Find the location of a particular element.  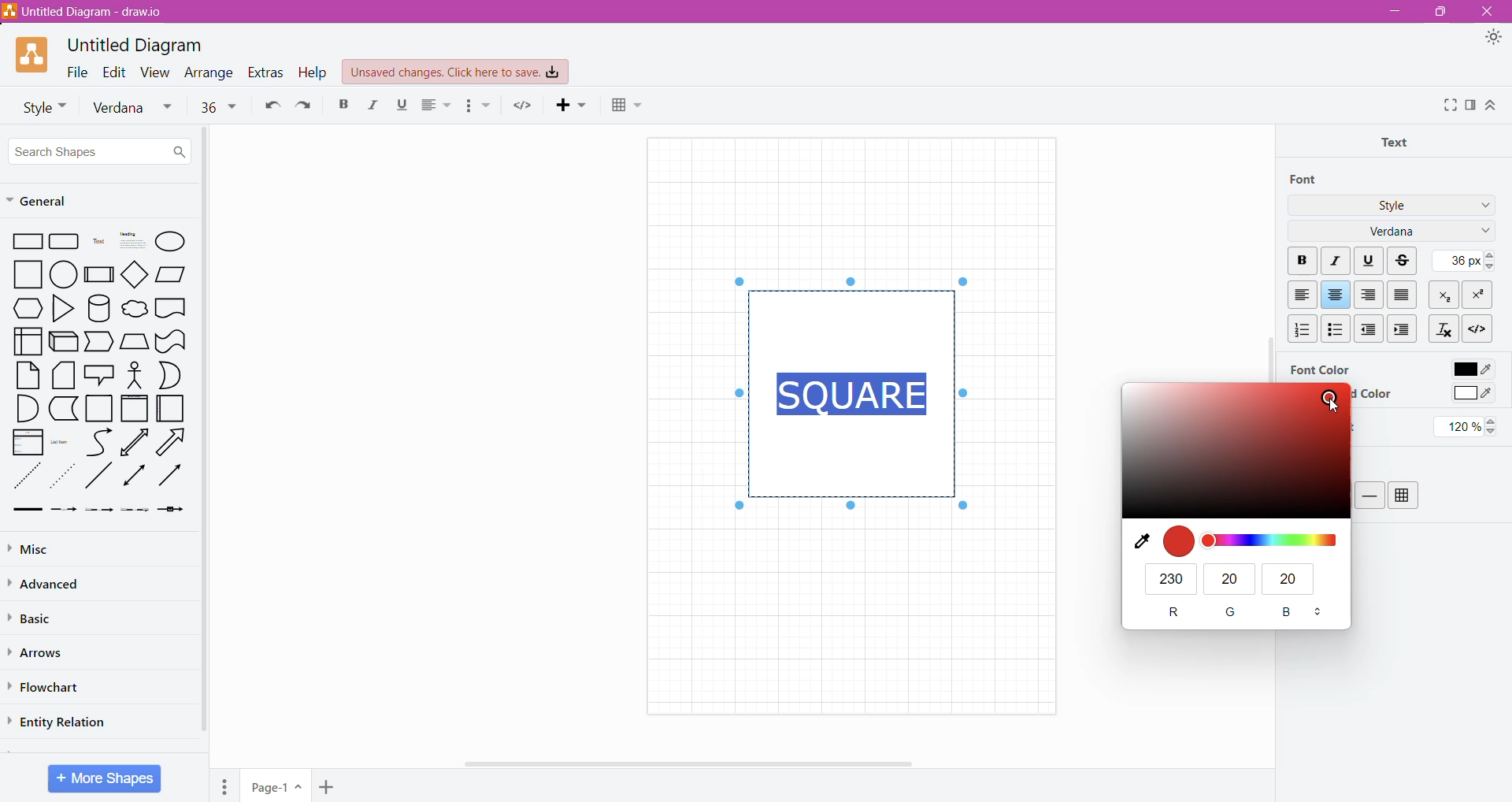

Quarter Circle is located at coordinates (25, 407).